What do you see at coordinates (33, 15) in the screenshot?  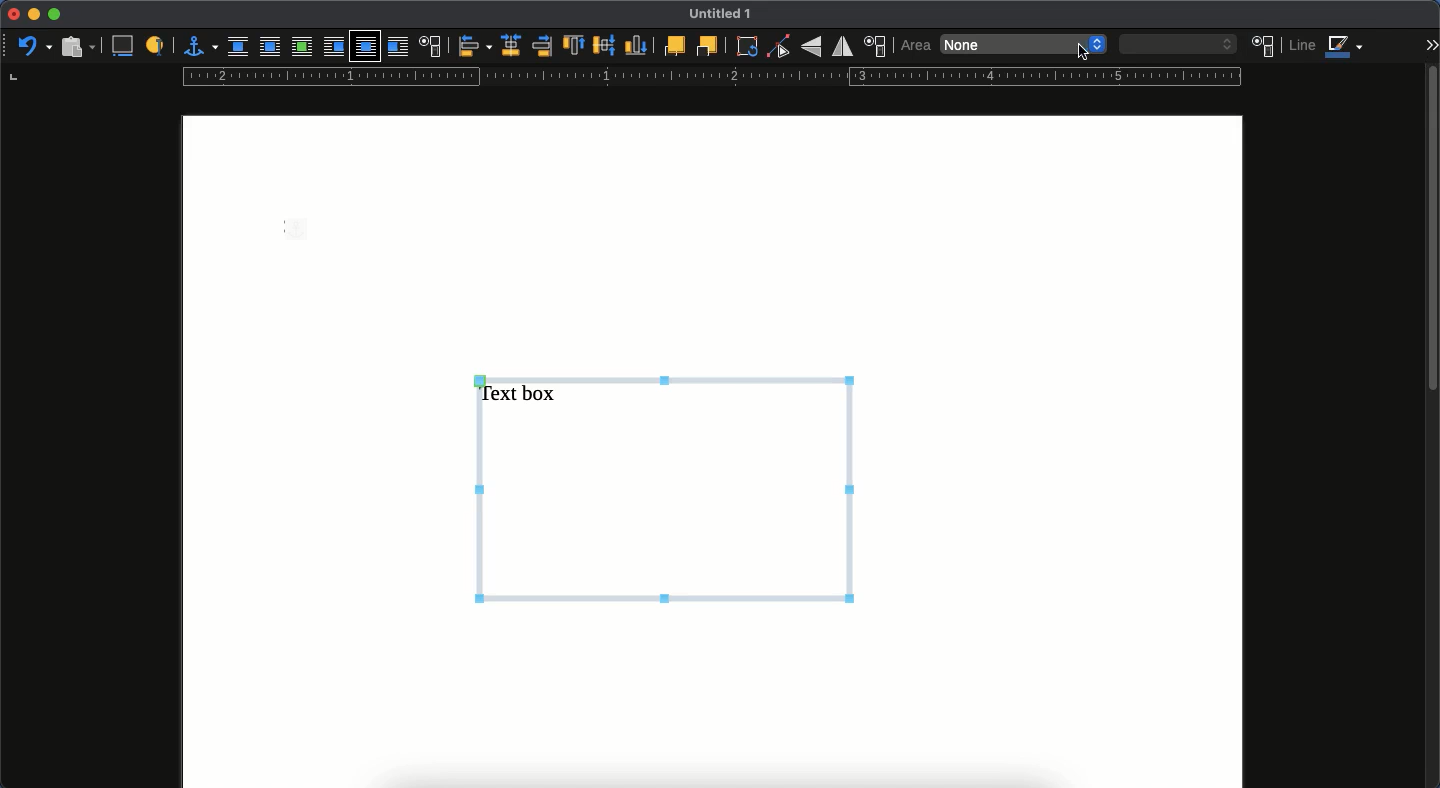 I see `minimize` at bounding box center [33, 15].